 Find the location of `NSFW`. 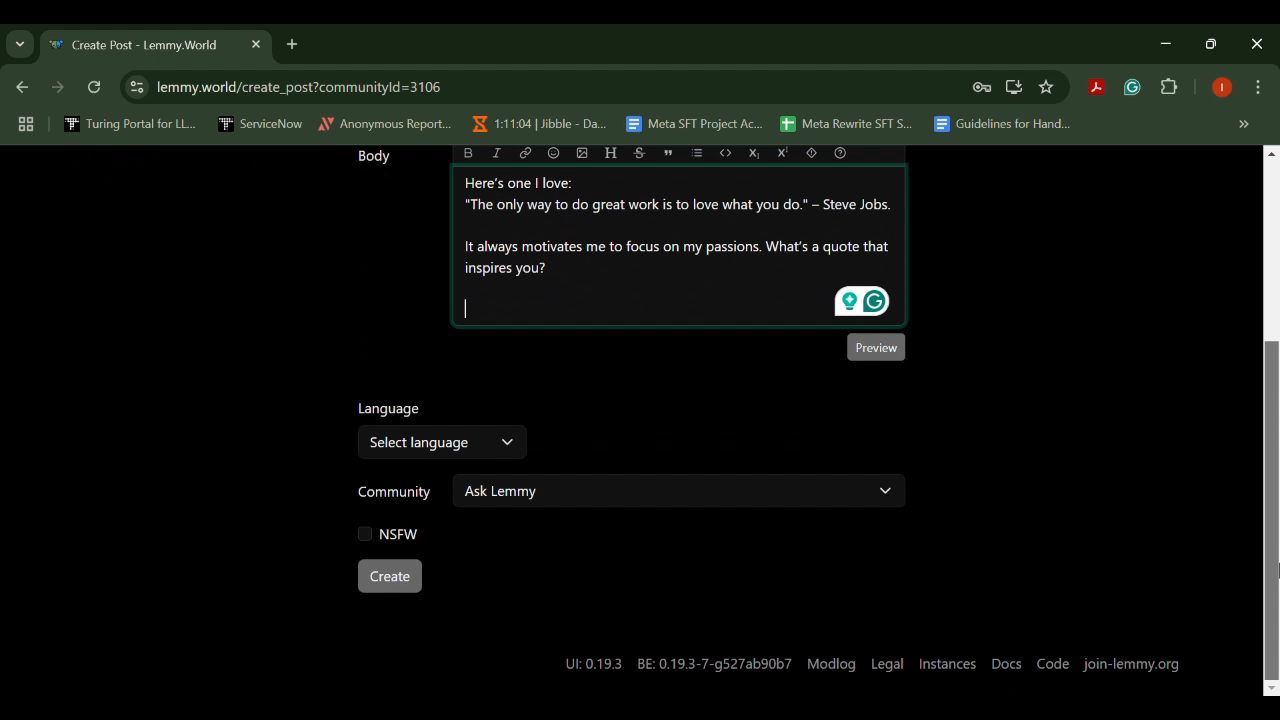

NSFW is located at coordinates (390, 533).